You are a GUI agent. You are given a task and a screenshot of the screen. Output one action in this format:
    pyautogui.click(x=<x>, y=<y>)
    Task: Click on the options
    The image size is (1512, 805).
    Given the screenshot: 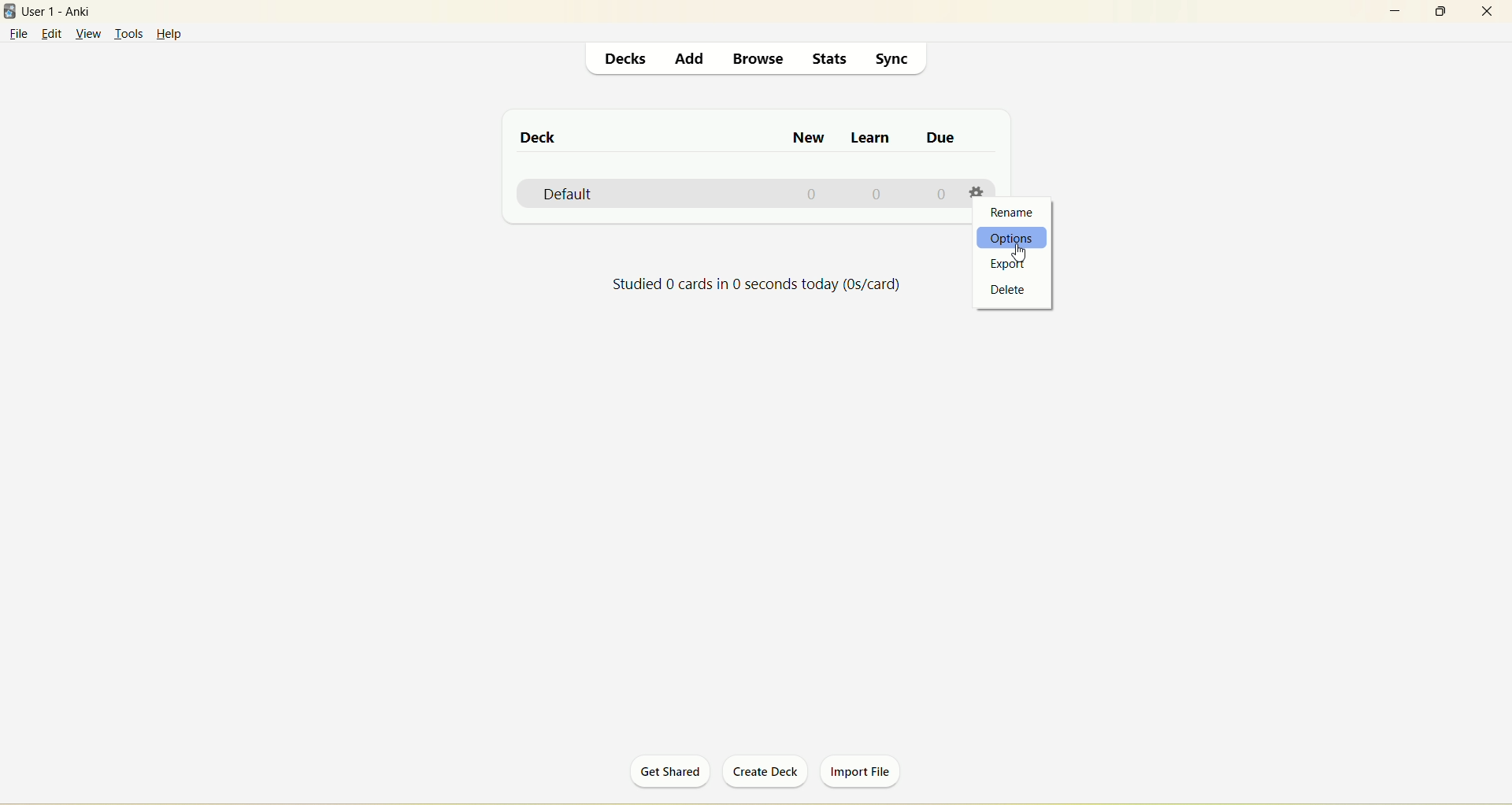 What is the action you would take?
    pyautogui.click(x=1014, y=239)
    